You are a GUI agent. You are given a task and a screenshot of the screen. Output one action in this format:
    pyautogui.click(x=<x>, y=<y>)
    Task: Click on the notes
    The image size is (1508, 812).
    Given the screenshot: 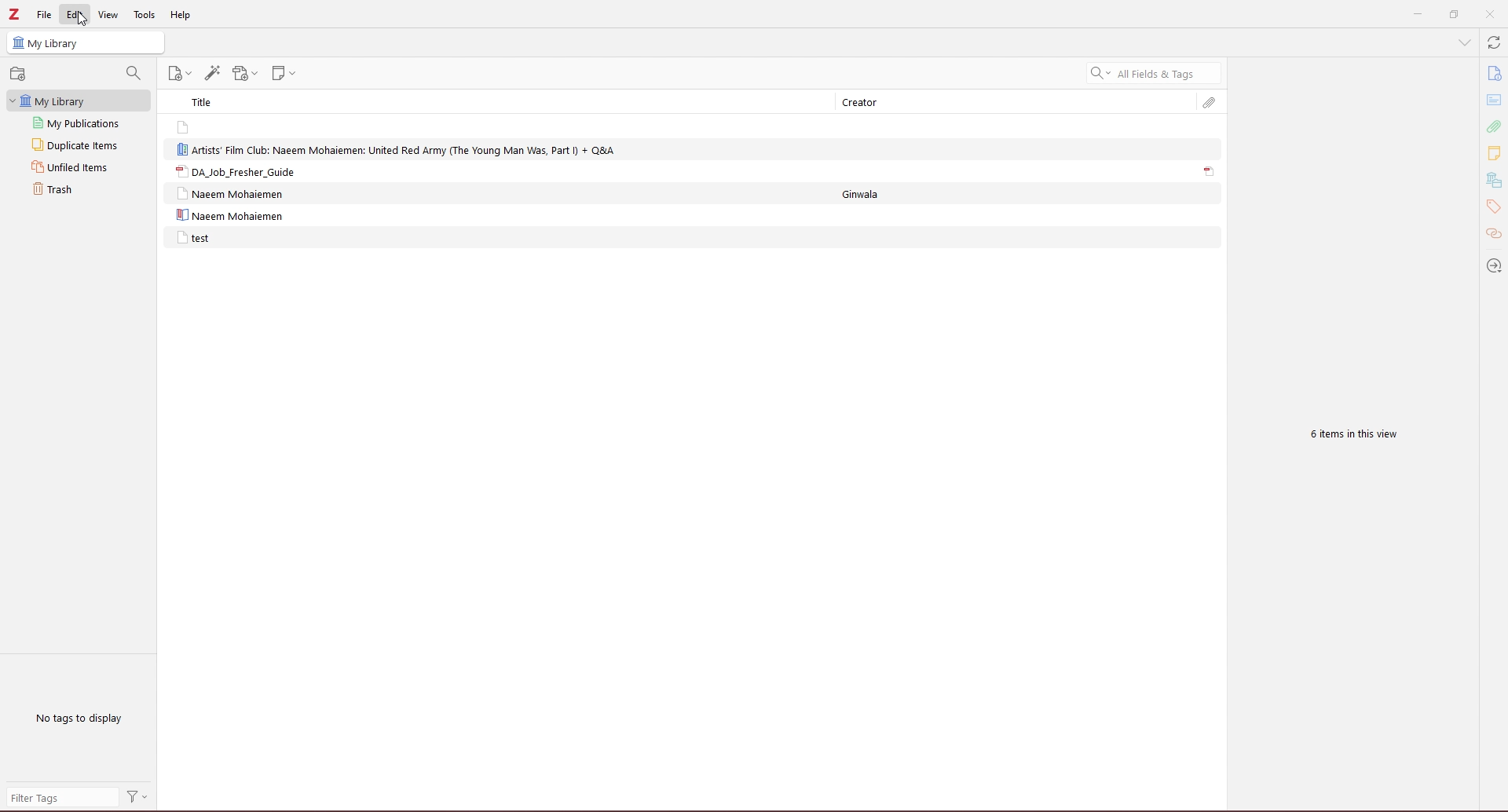 What is the action you would take?
    pyautogui.click(x=1494, y=152)
    